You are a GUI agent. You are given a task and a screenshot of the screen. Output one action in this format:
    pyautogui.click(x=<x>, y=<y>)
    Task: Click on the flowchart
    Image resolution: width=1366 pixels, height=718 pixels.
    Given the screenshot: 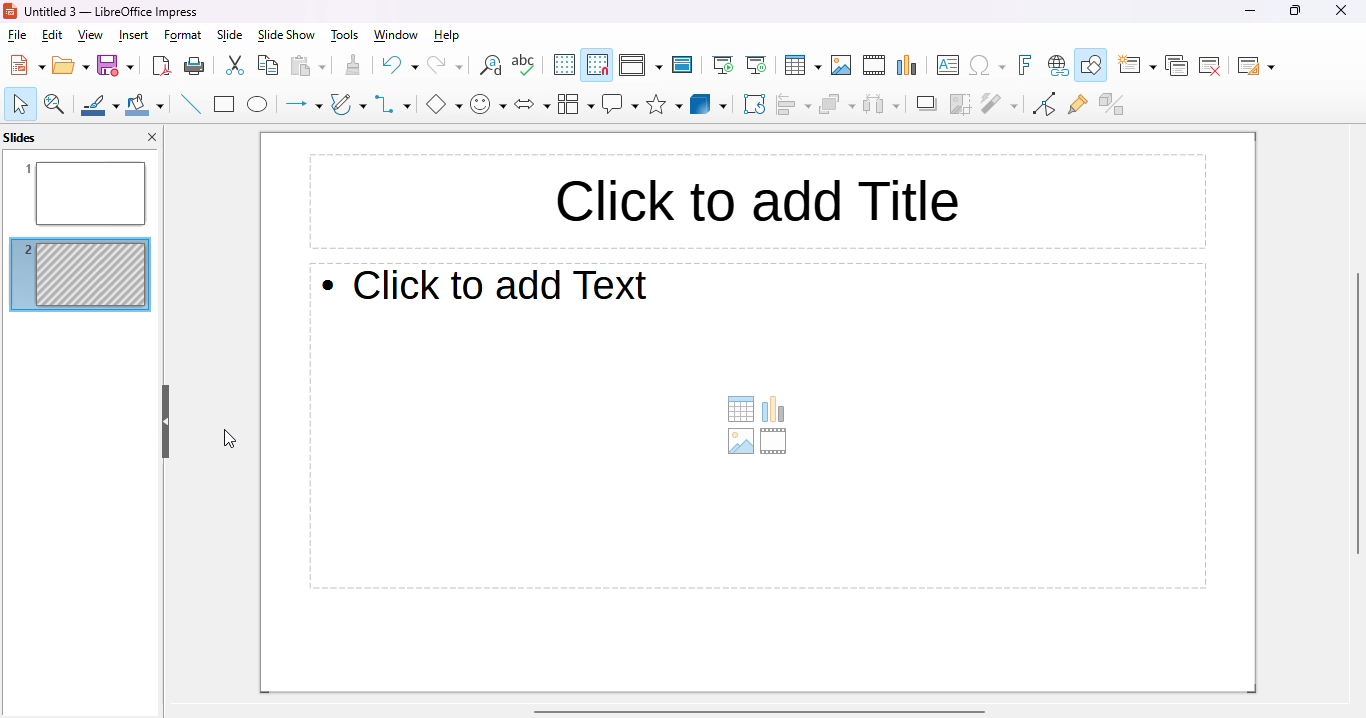 What is the action you would take?
    pyautogui.click(x=576, y=105)
    